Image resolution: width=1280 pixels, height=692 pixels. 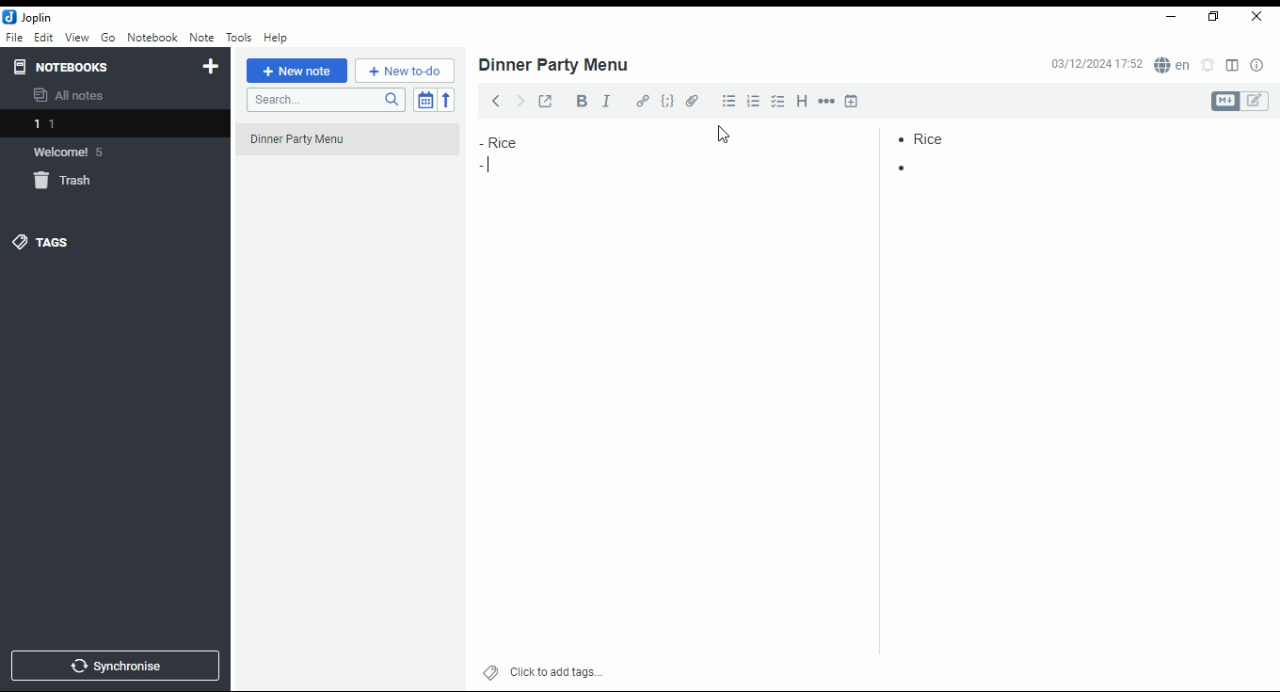 I want to click on toggle external editing, so click(x=545, y=100).